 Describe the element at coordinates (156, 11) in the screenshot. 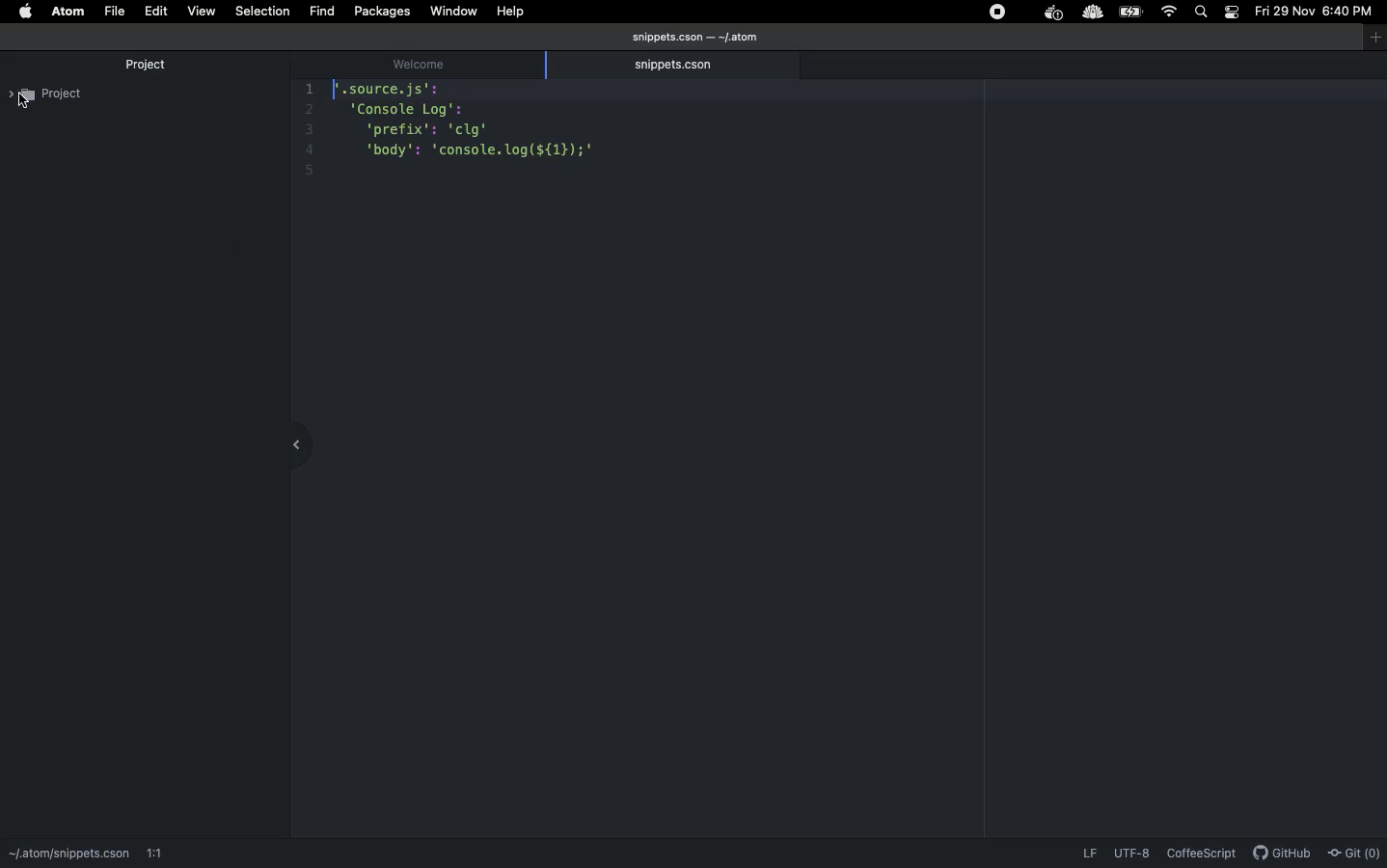

I see `Edit` at that location.